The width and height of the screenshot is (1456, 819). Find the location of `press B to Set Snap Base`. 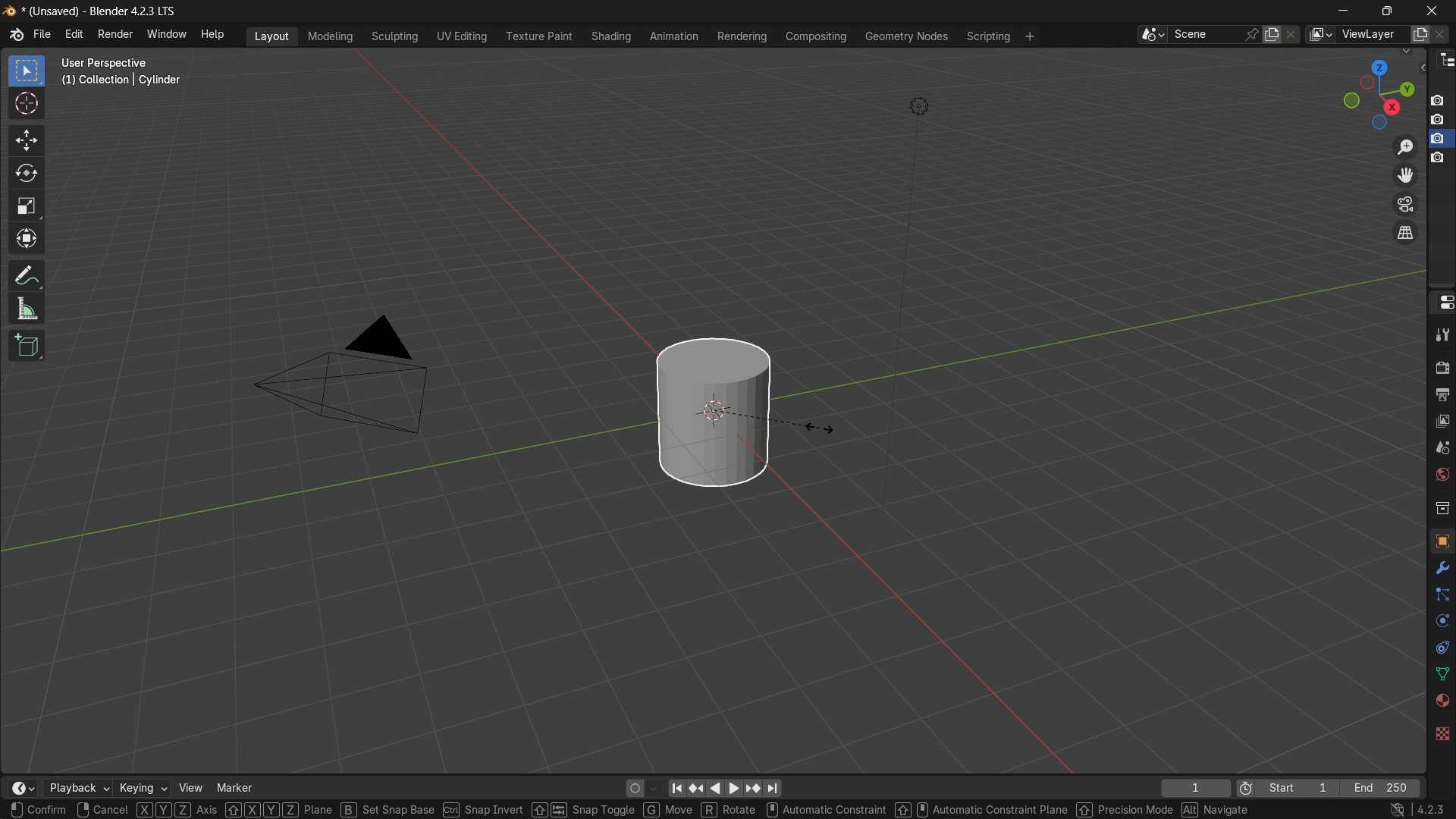

press B to Set Snap Base is located at coordinates (389, 810).